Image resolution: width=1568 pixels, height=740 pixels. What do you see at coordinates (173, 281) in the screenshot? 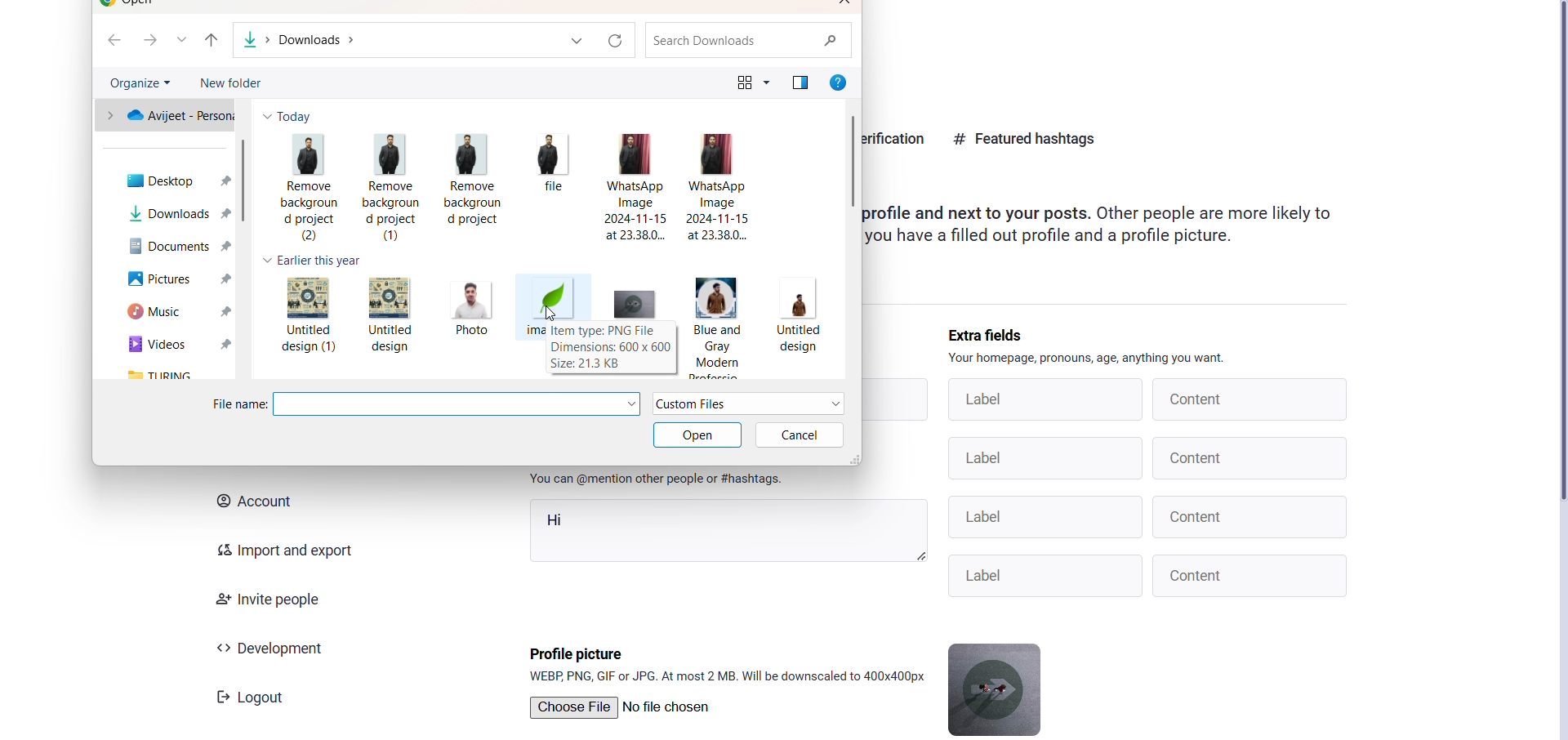
I see `pictures` at bounding box center [173, 281].